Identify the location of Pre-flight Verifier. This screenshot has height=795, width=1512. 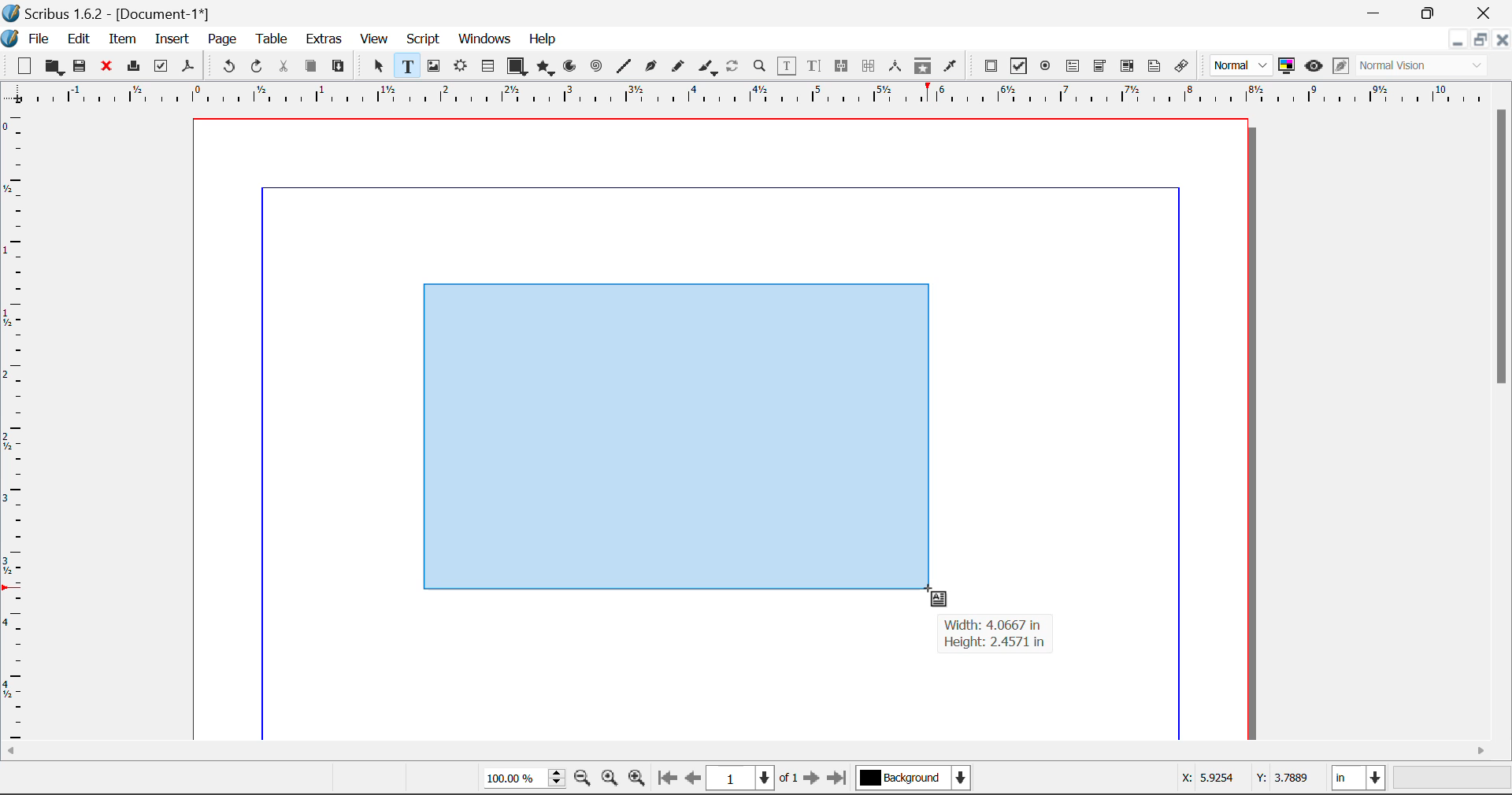
(161, 66).